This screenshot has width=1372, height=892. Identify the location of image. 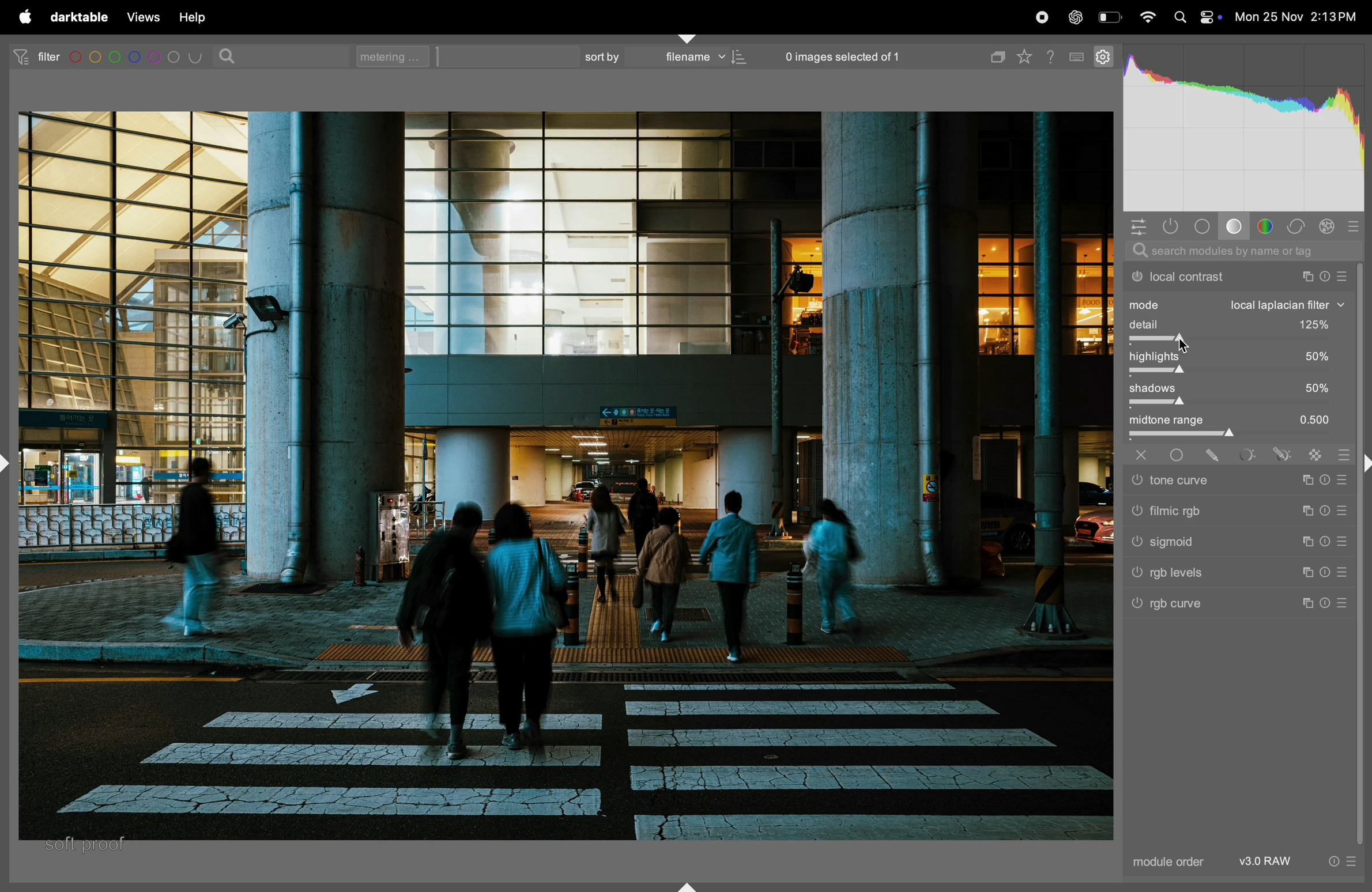
(560, 477).